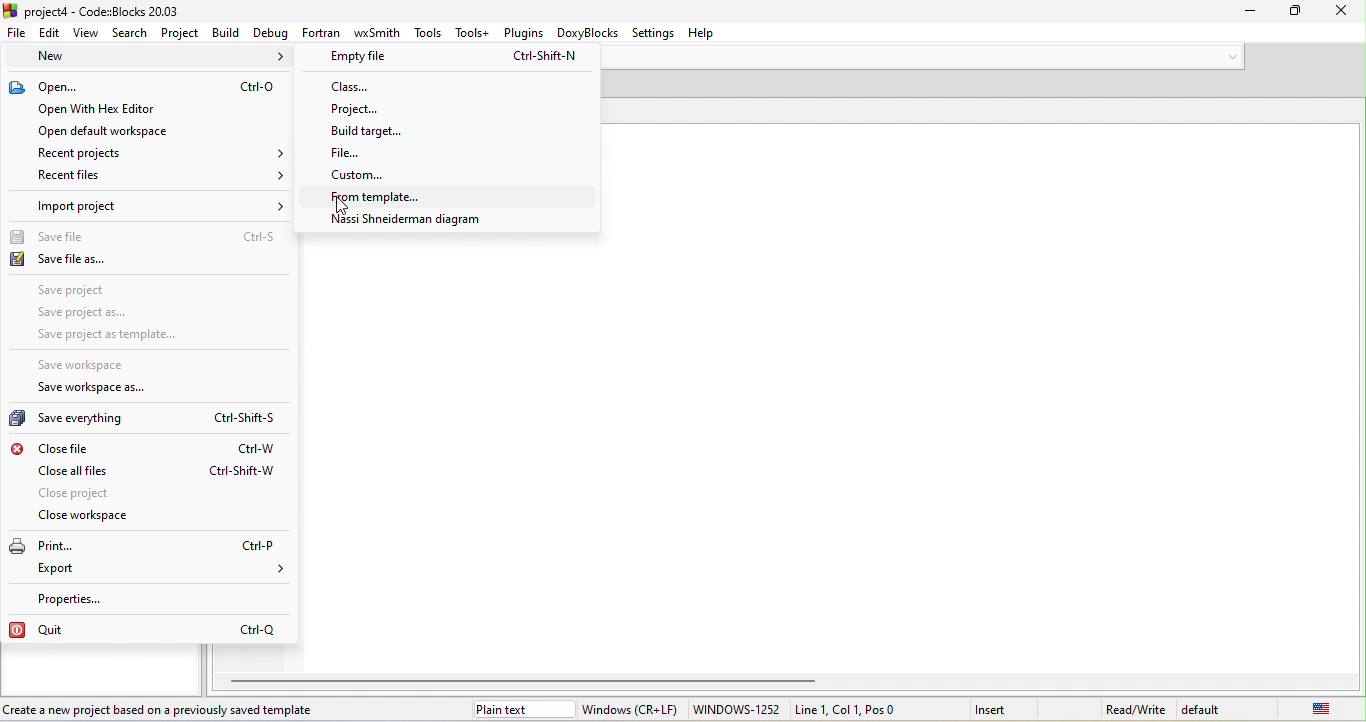 The image size is (1366, 722). What do you see at coordinates (147, 88) in the screenshot?
I see `open` at bounding box center [147, 88].